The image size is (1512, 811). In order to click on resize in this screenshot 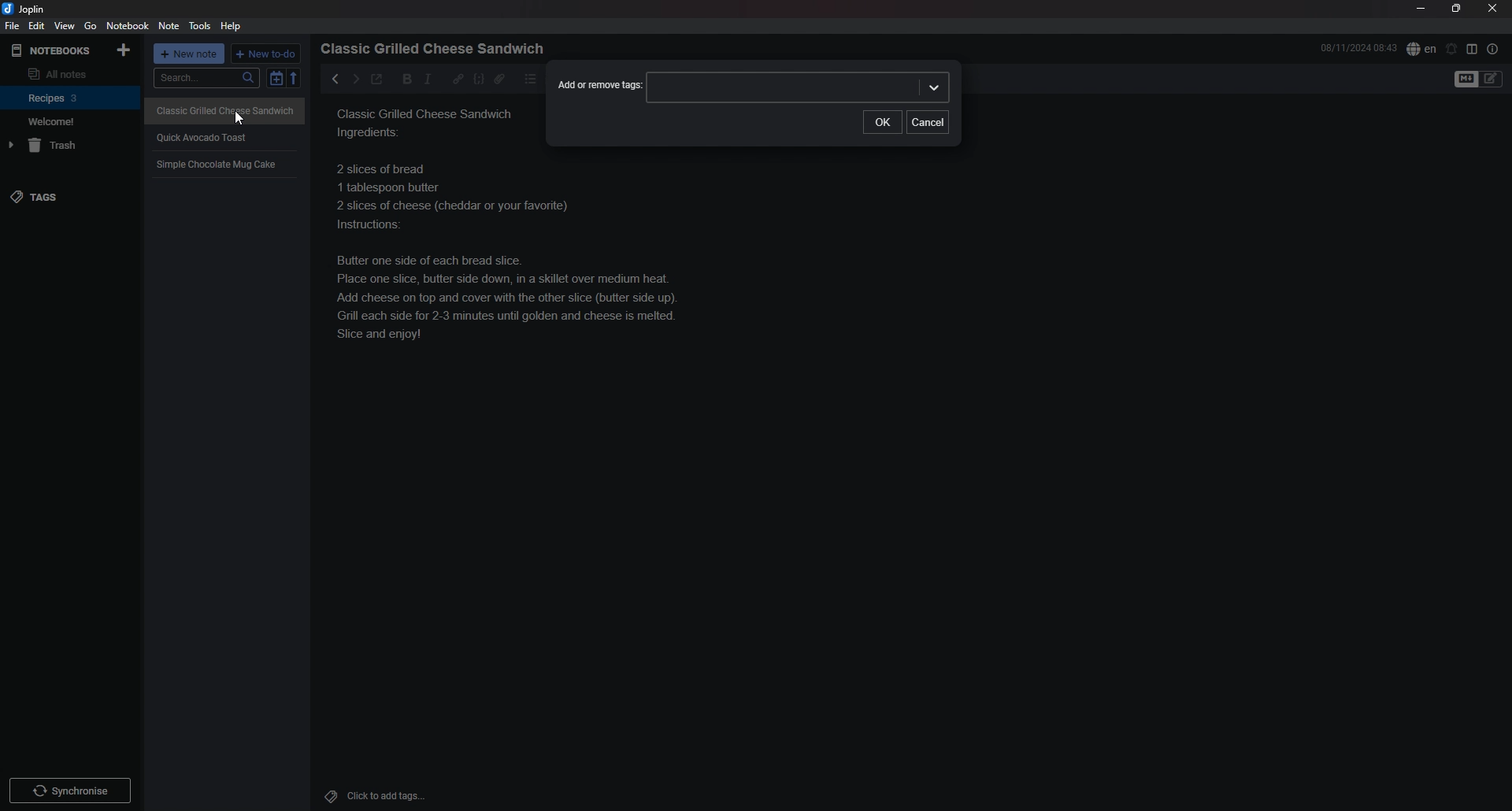, I will do `click(1456, 9)`.